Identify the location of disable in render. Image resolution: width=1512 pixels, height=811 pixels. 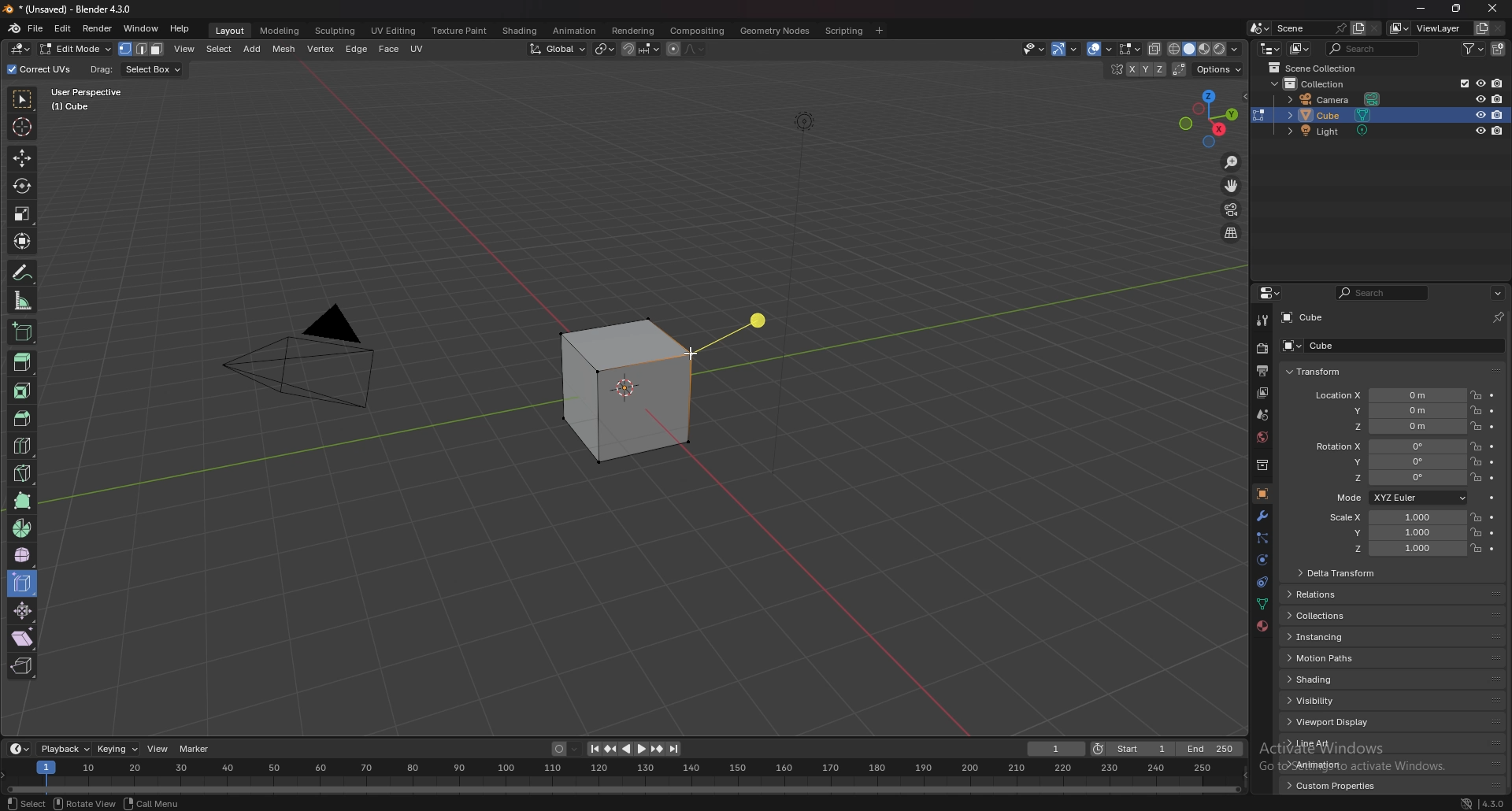
(1498, 83).